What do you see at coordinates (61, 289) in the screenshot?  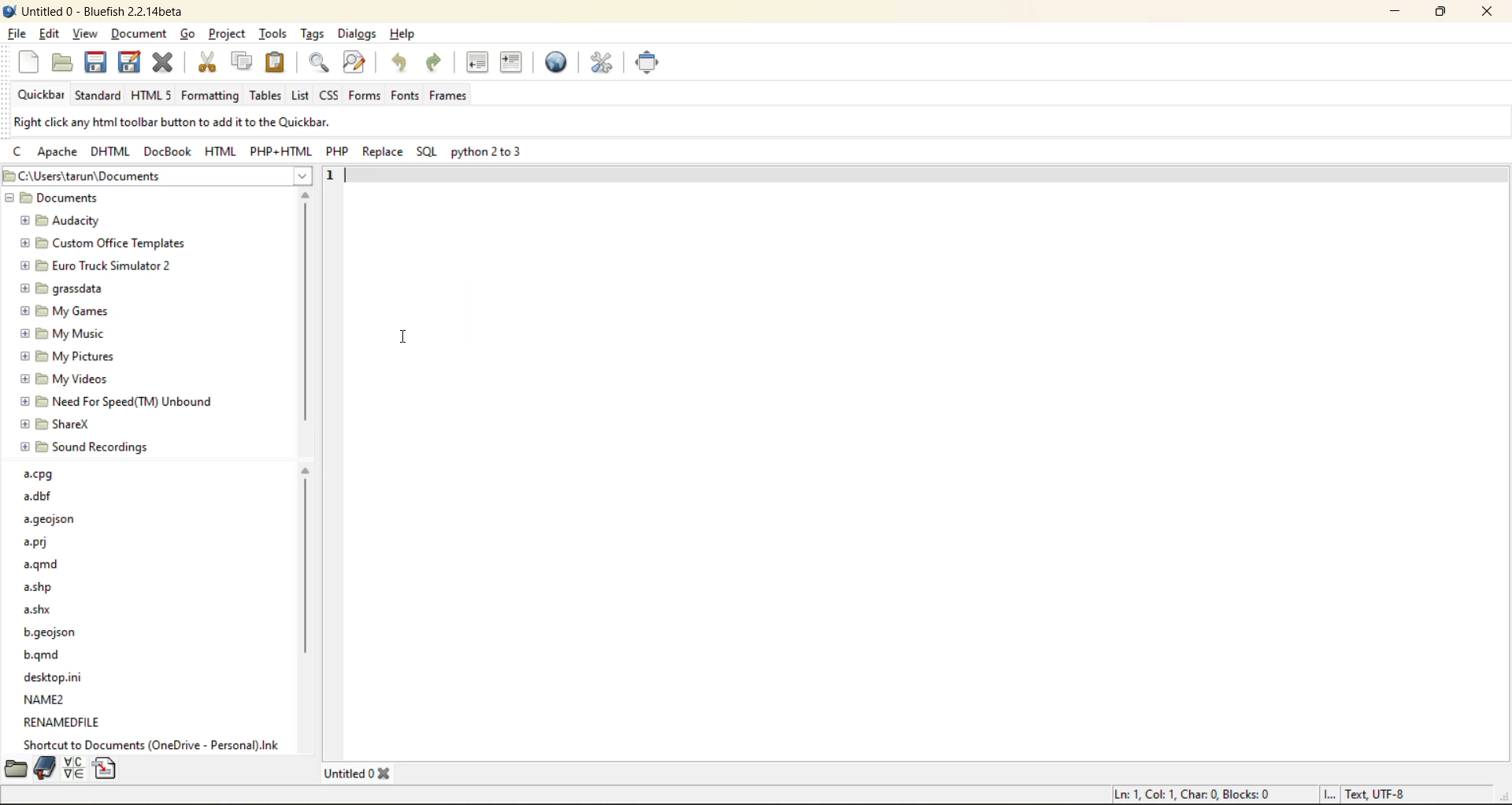 I see `grasssdata` at bounding box center [61, 289].